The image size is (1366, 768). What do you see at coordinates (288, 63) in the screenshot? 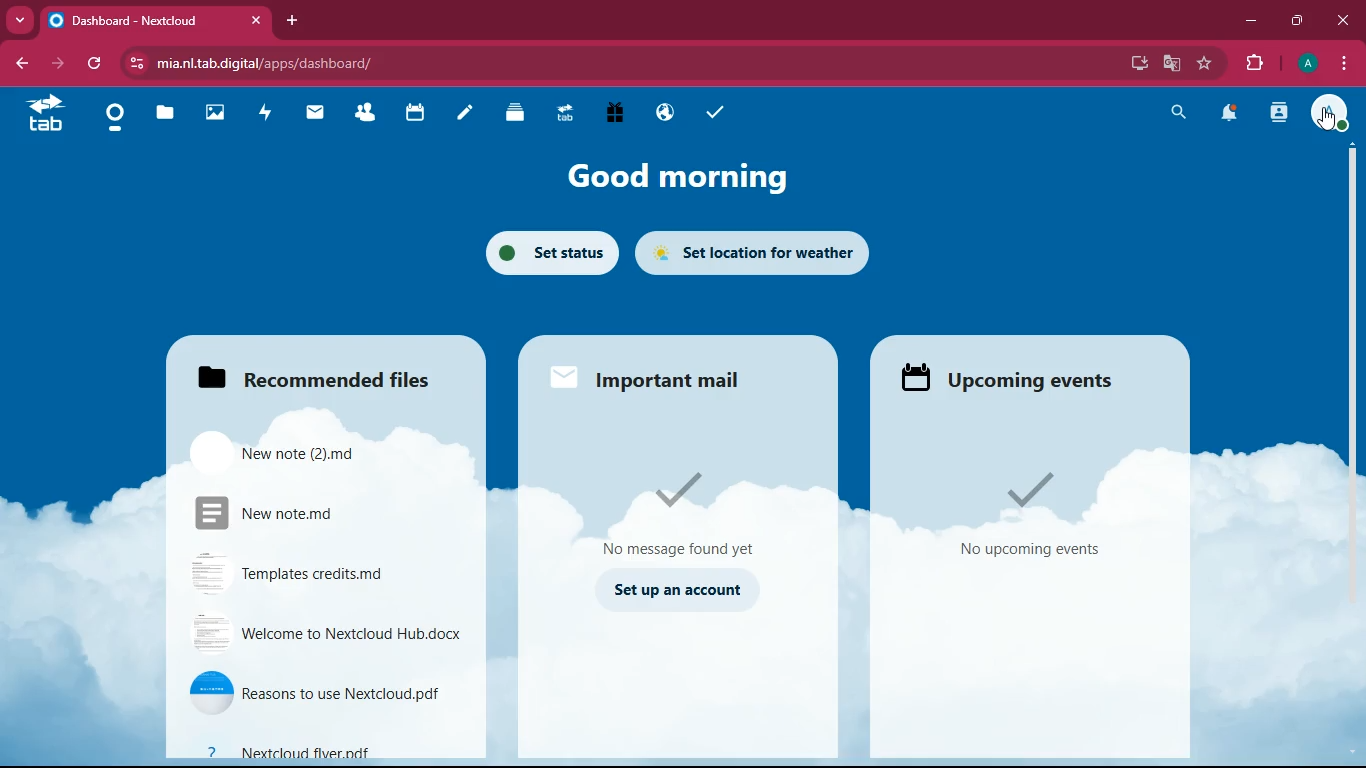
I see `url` at bounding box center [288, 63].